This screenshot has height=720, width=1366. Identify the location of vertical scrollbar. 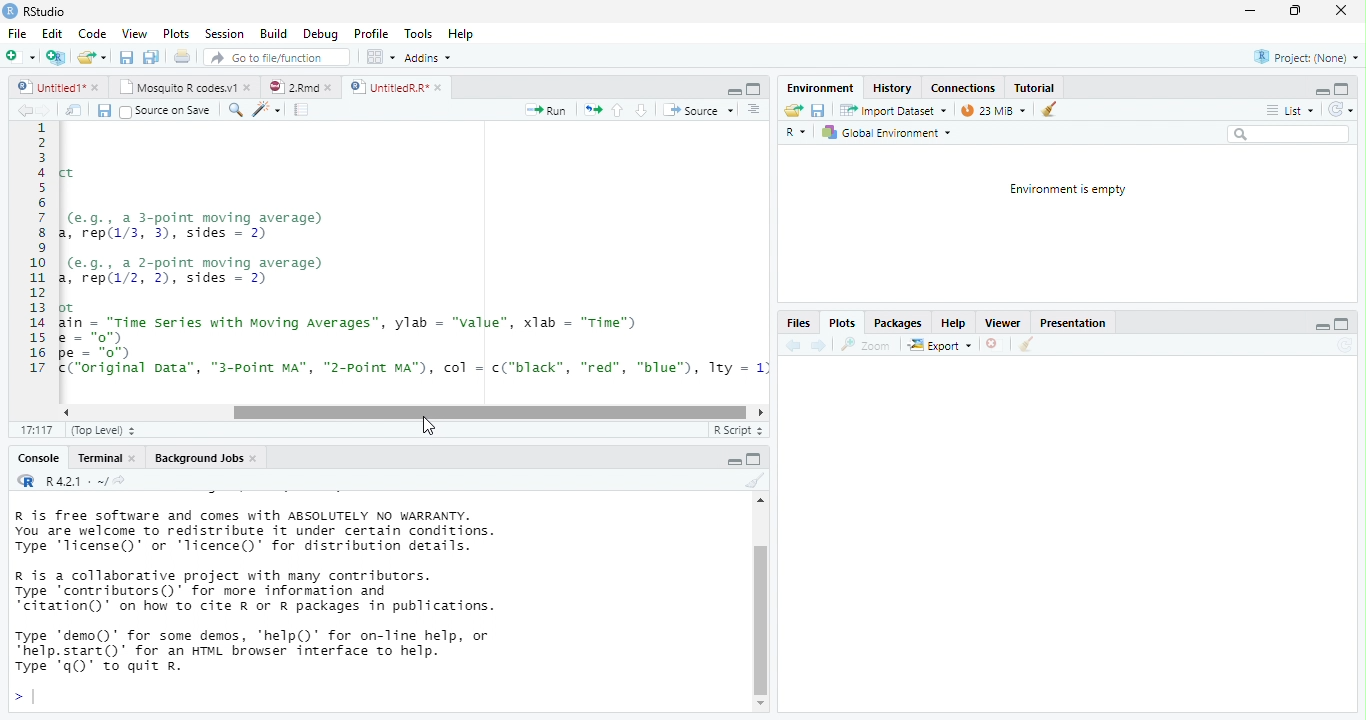
(761, 619).